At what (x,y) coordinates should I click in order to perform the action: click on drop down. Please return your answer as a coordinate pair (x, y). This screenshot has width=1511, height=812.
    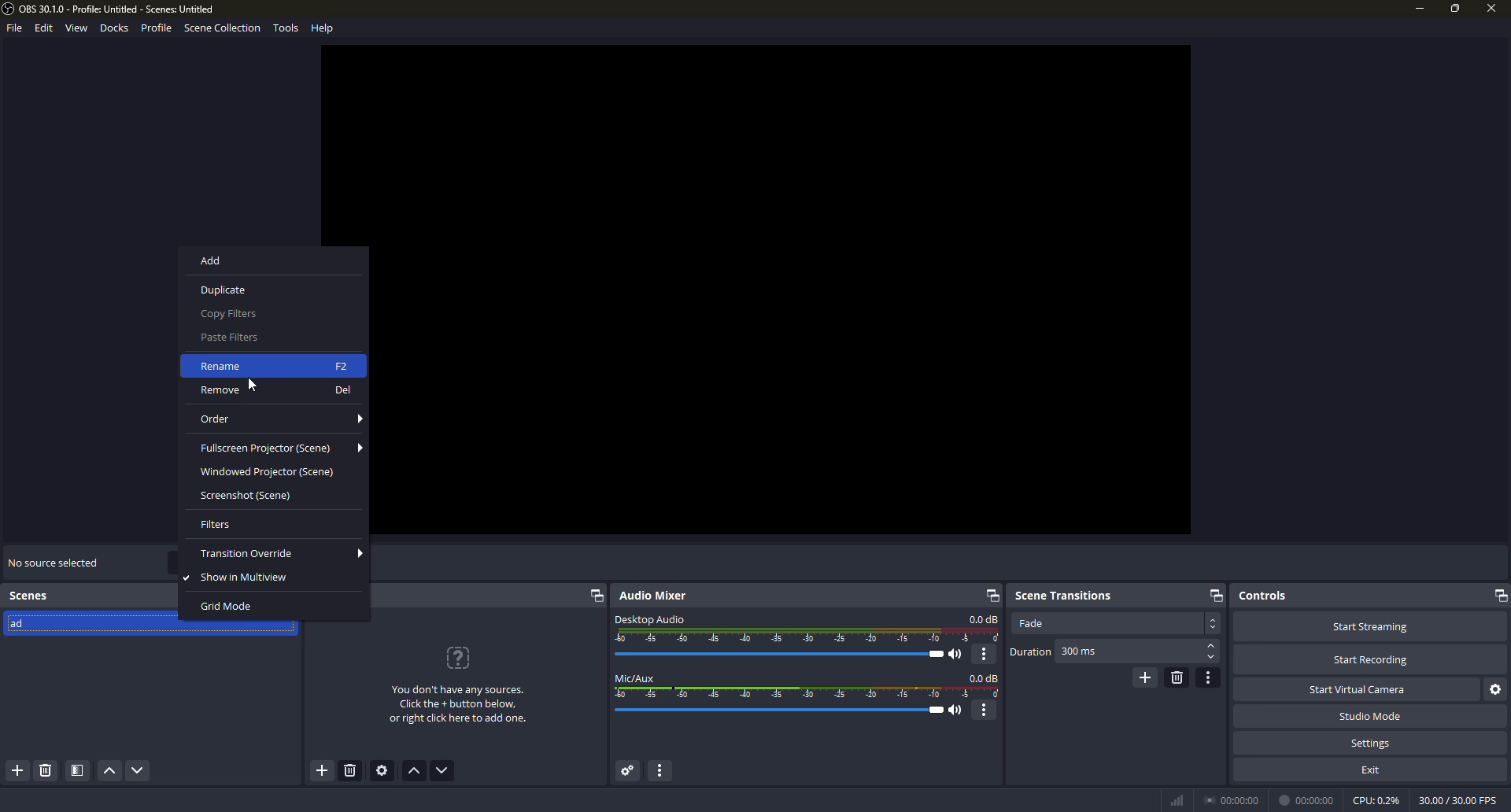
    Looking at the image, I should click on (1214, 623).